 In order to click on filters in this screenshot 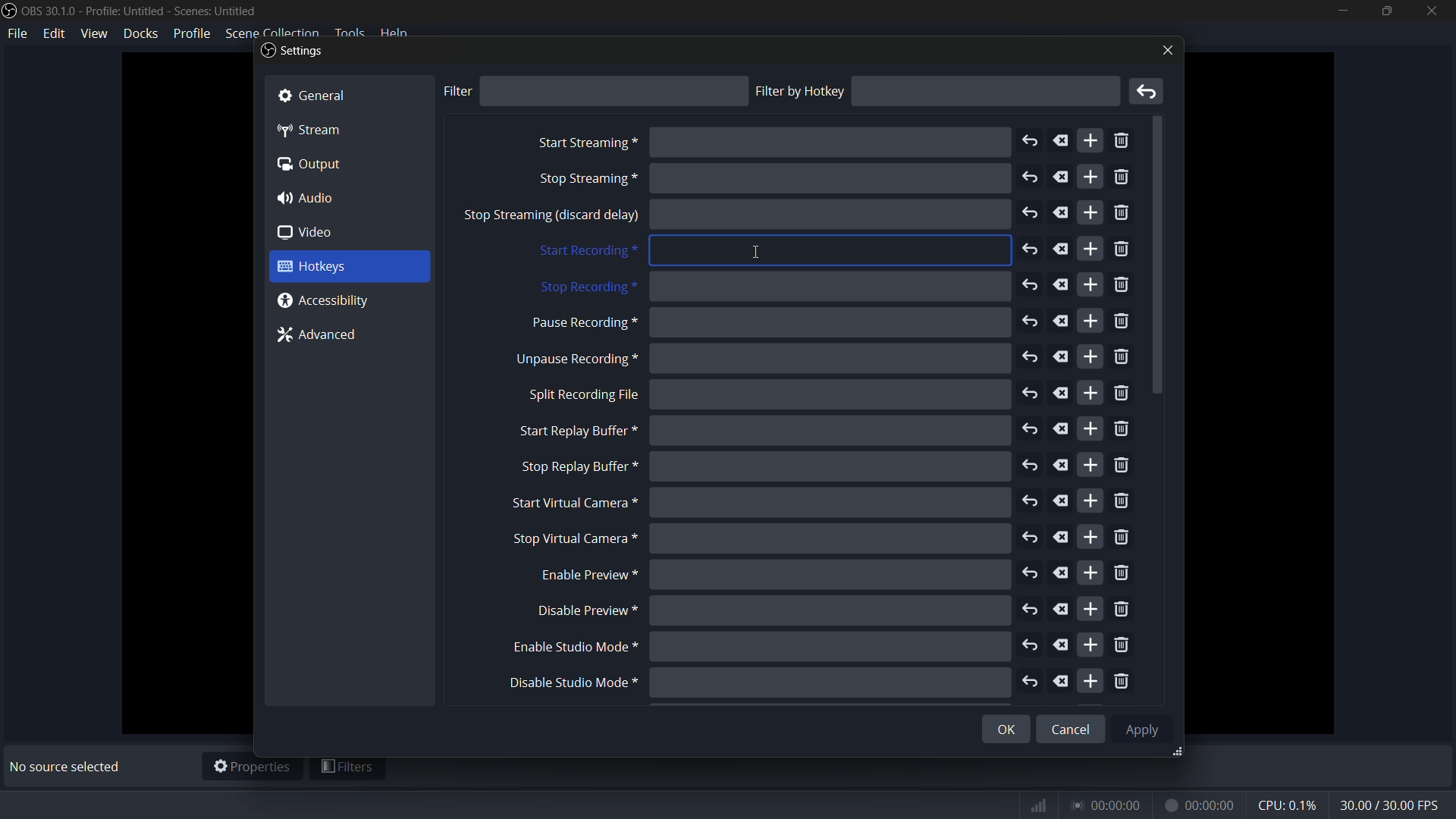, I will do `click(348, 769)`.